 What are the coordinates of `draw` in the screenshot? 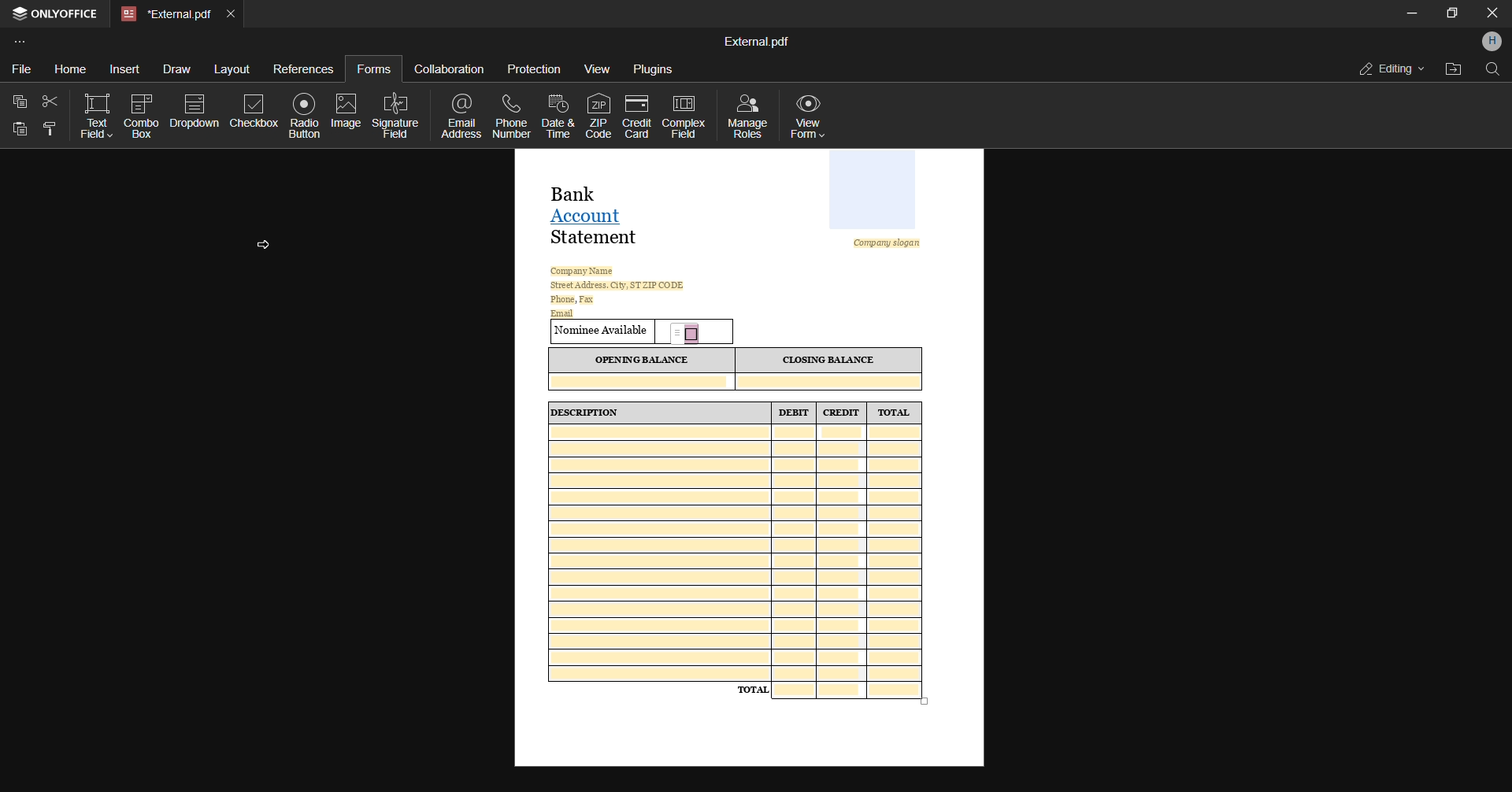 It's located at (172, 71).